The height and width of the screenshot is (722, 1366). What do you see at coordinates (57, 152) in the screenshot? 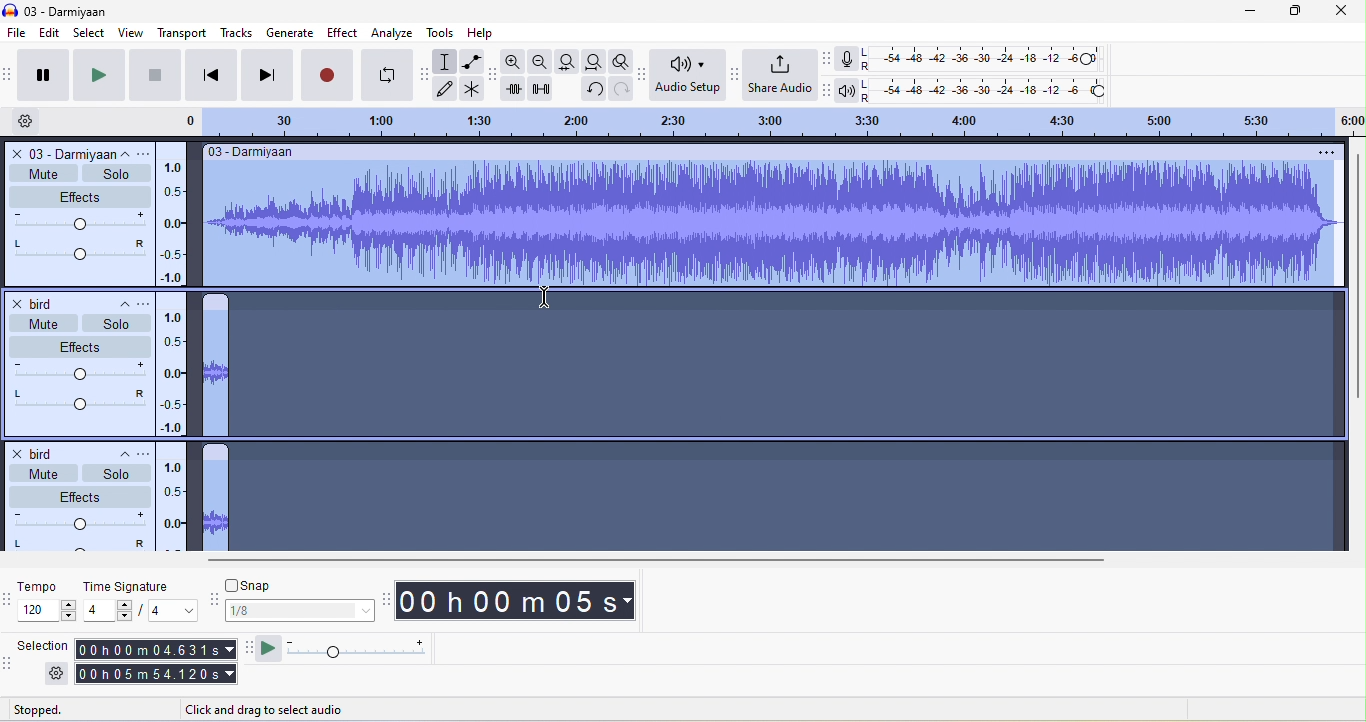
I see `o3 darmiyaan` at bounding box center [57, 152].